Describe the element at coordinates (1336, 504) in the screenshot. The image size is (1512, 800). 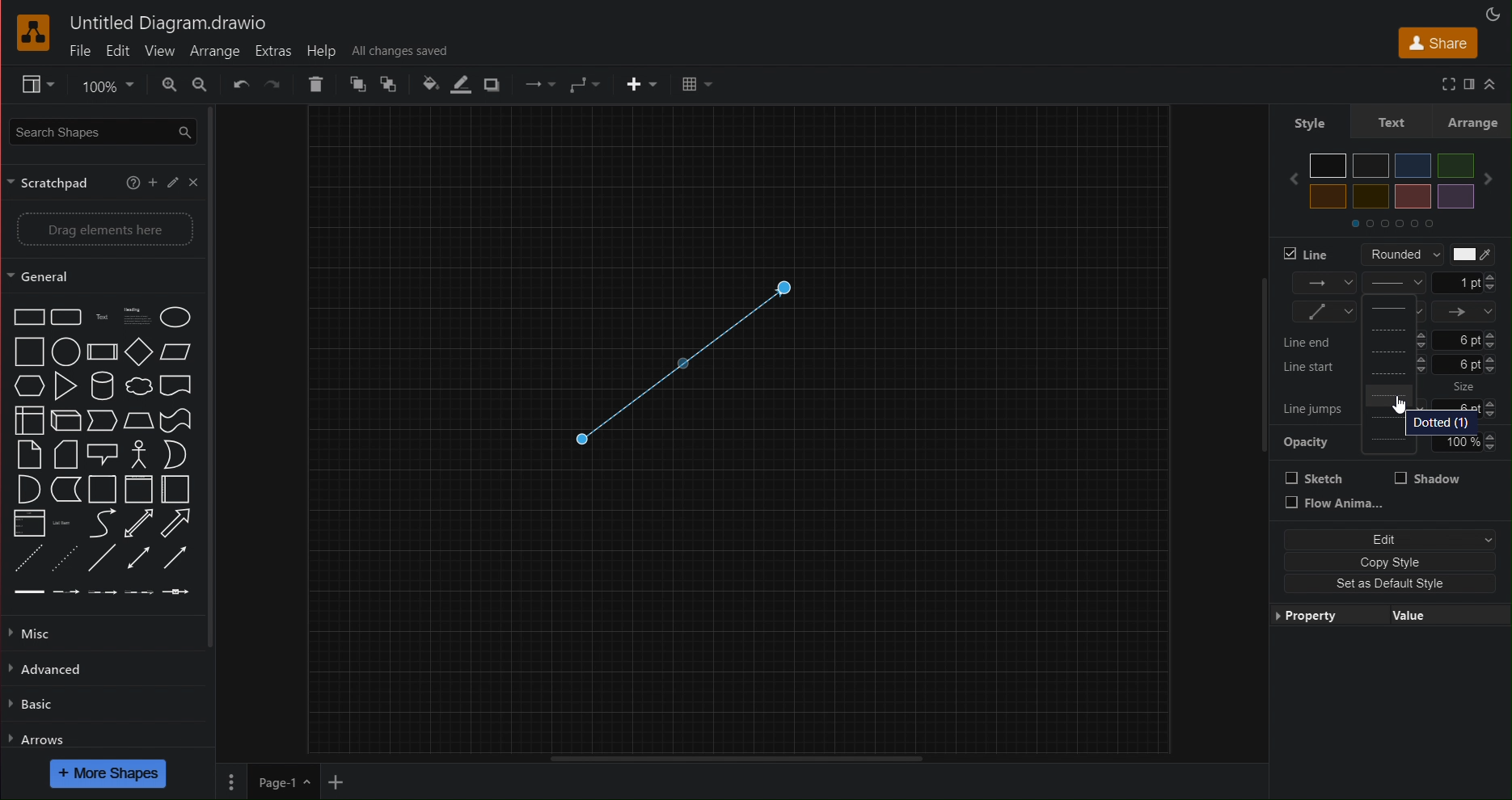
I see `Flow Animation` at that location.